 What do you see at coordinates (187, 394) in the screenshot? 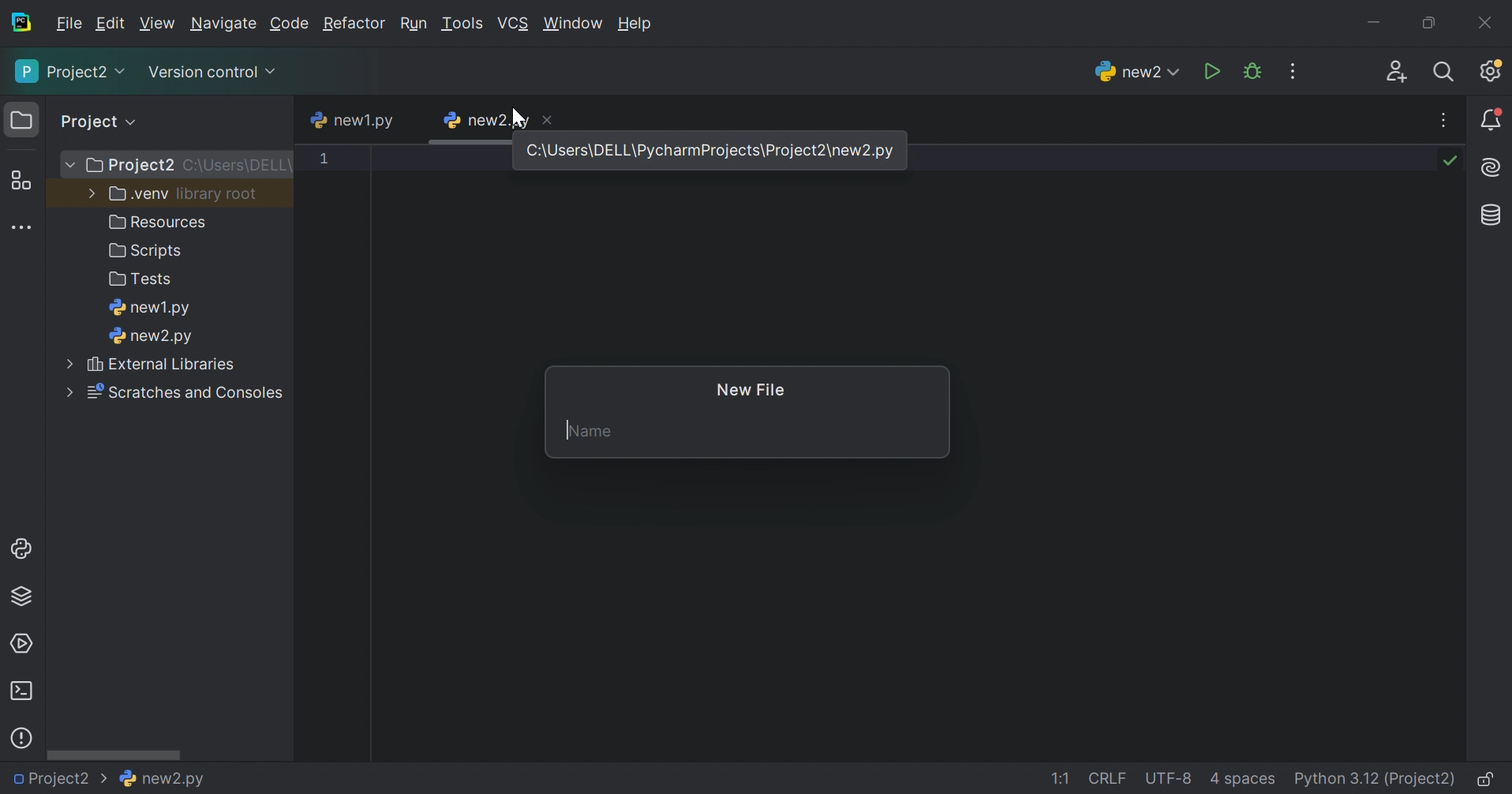
I see `Scratches and consoles` at bounding box center [187, 394].